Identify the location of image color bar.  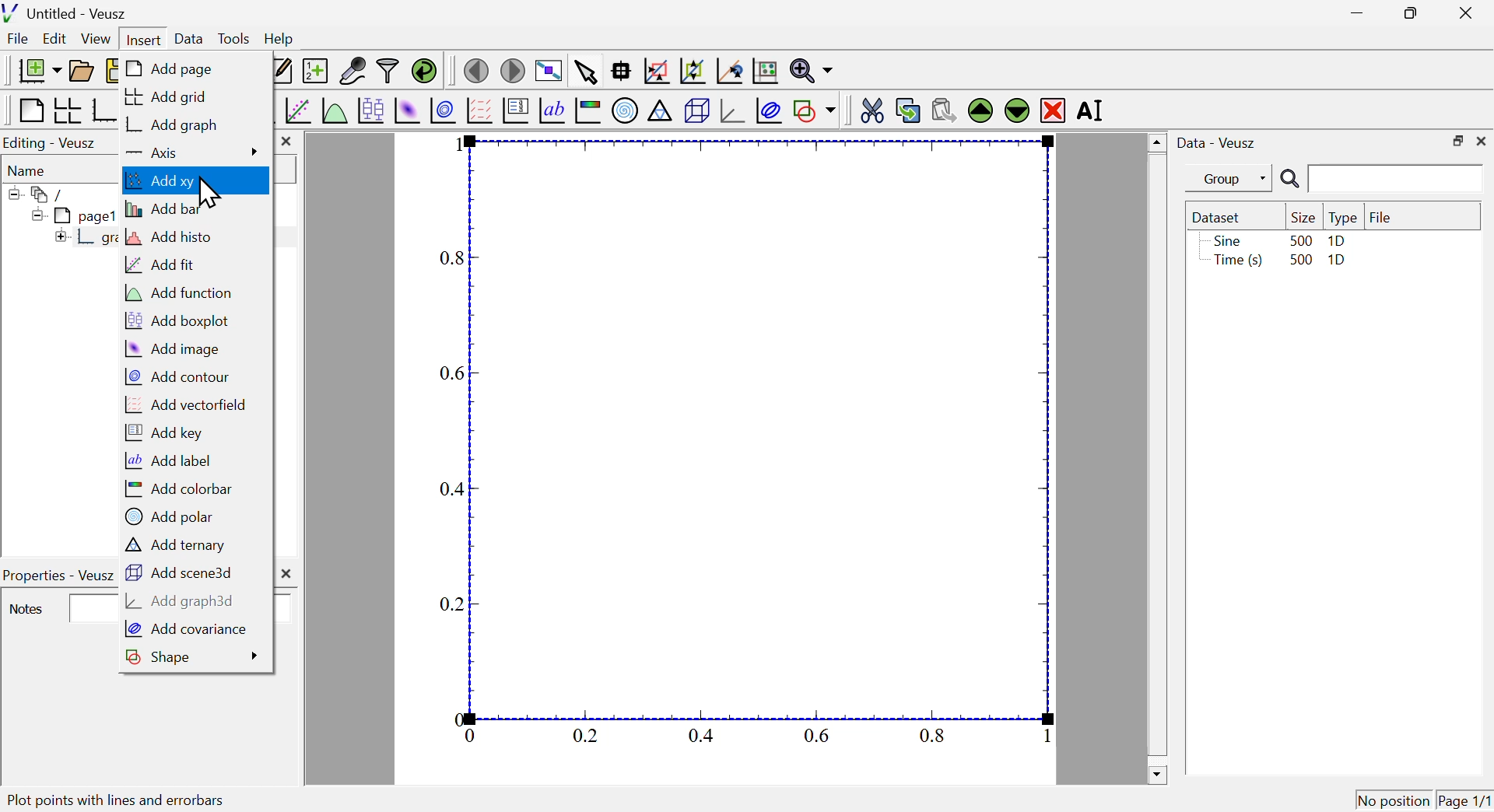
(589, 112).